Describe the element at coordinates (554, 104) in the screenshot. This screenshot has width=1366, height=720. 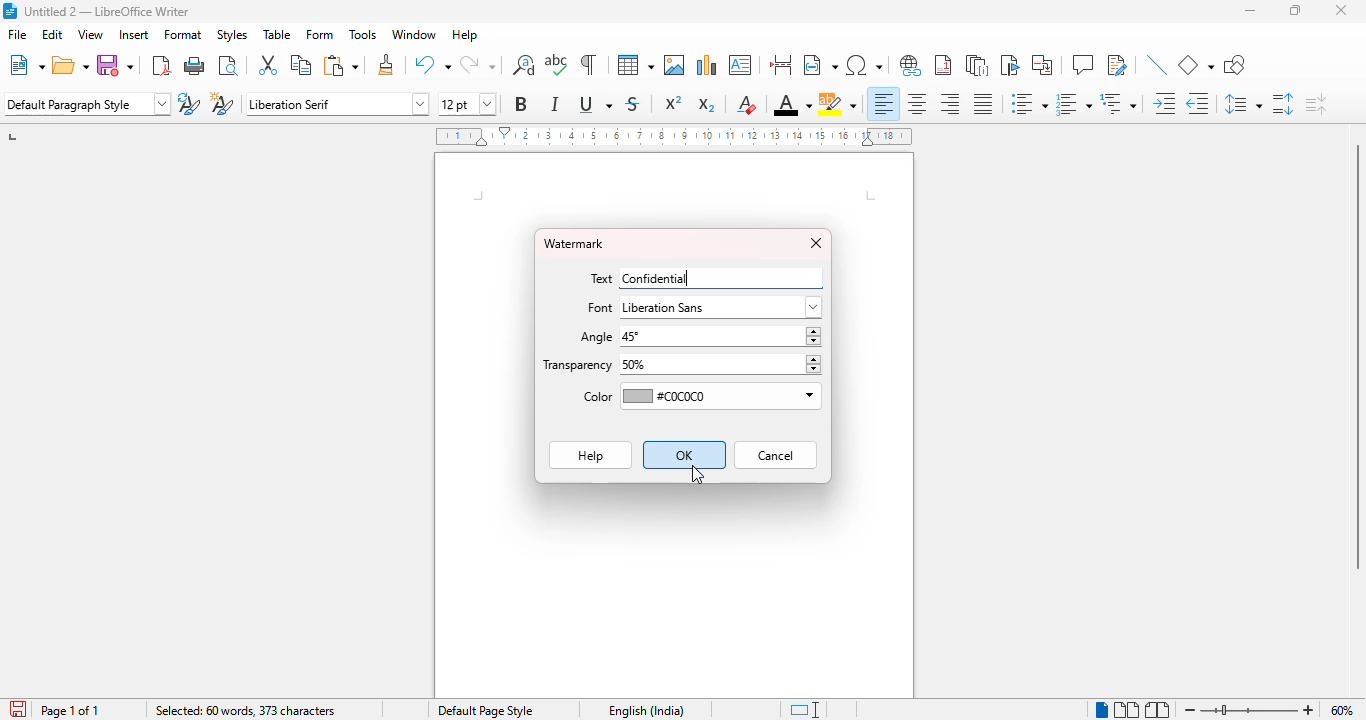
I see `italic` at that location.